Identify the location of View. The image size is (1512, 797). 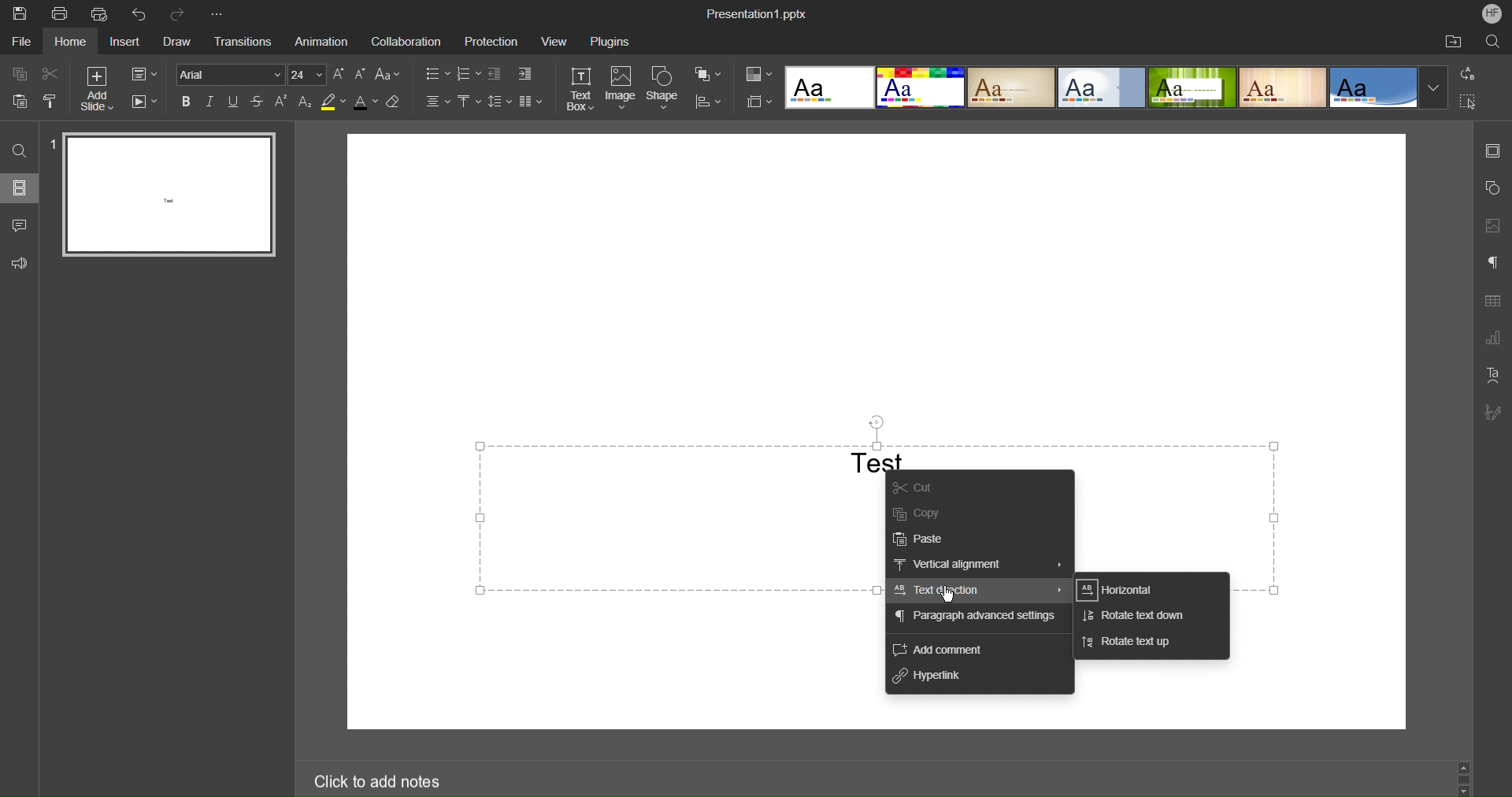
(554, 41).